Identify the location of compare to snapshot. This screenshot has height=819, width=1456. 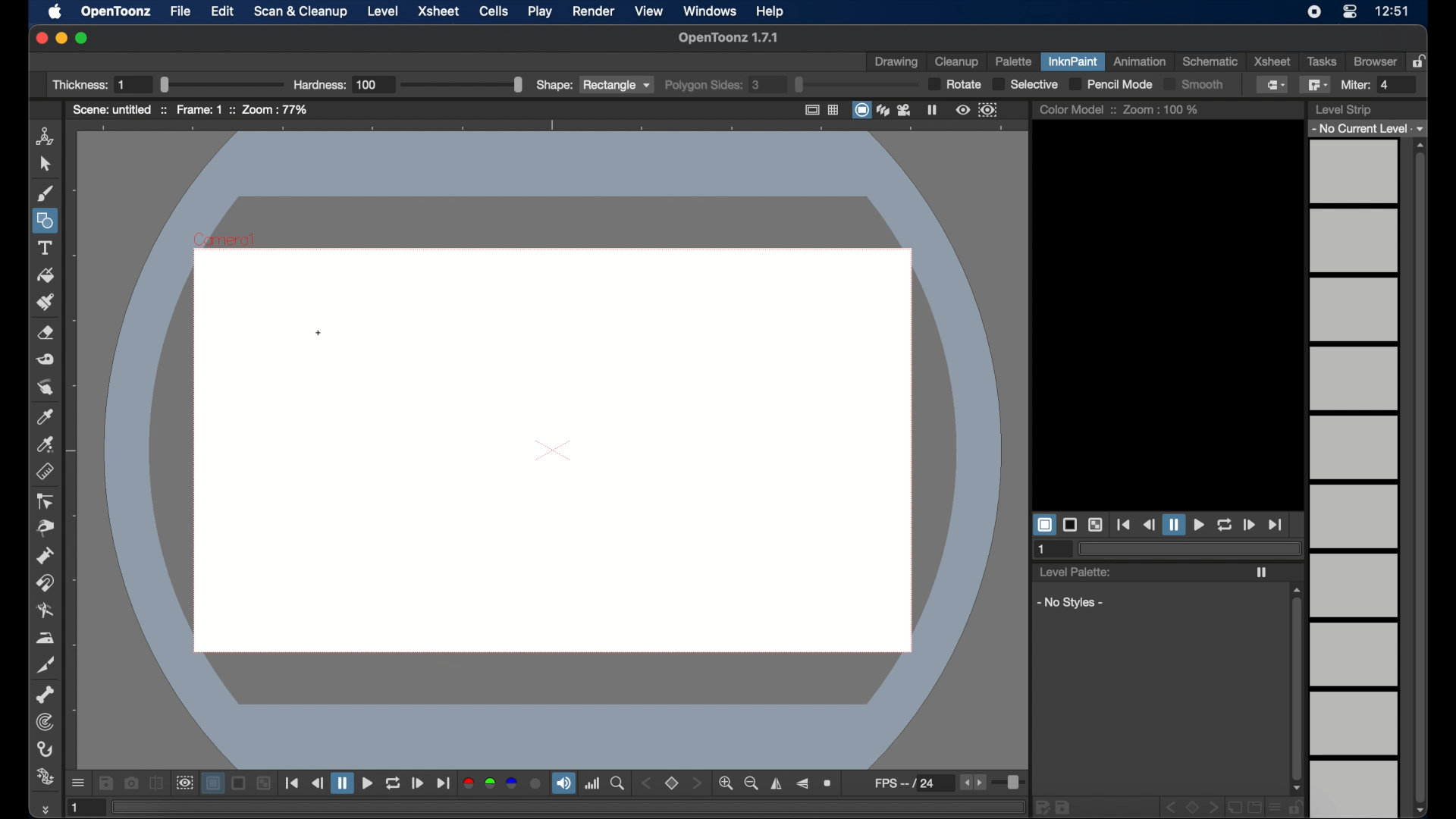
(156, 783).